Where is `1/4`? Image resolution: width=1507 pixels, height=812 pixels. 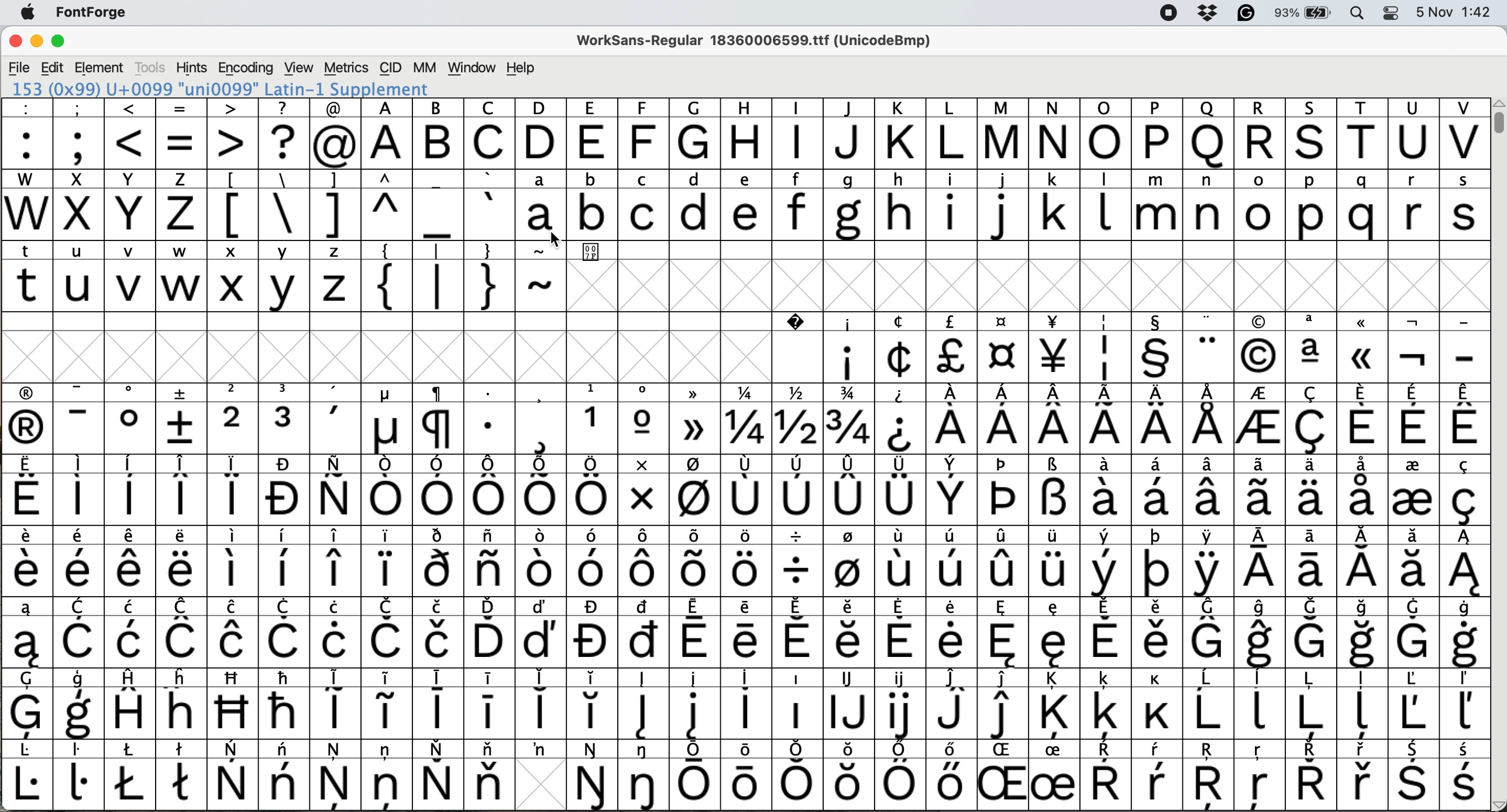 1/4 is located at coordinates (746, 419).